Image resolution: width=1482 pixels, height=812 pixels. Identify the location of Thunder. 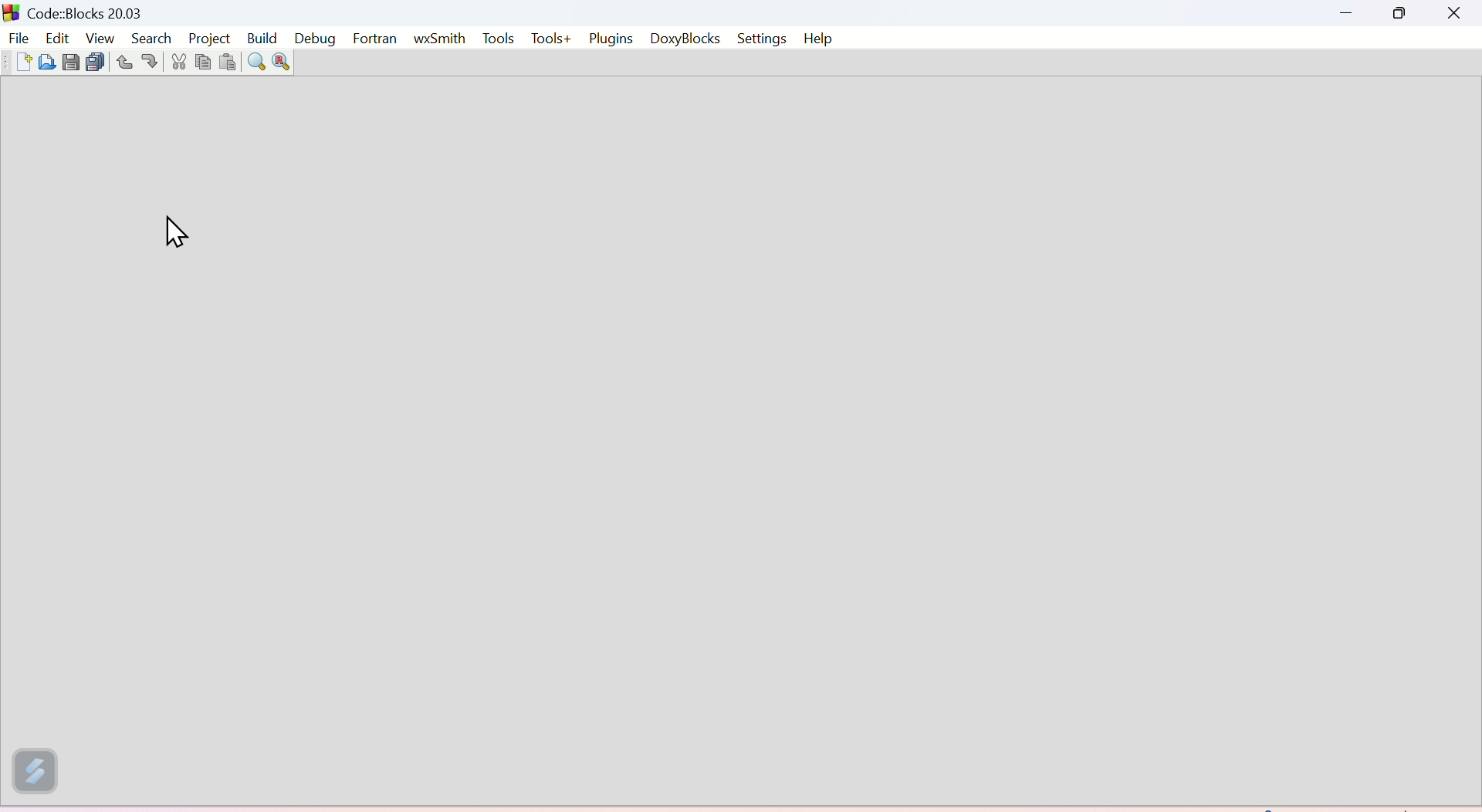
(32, 778).